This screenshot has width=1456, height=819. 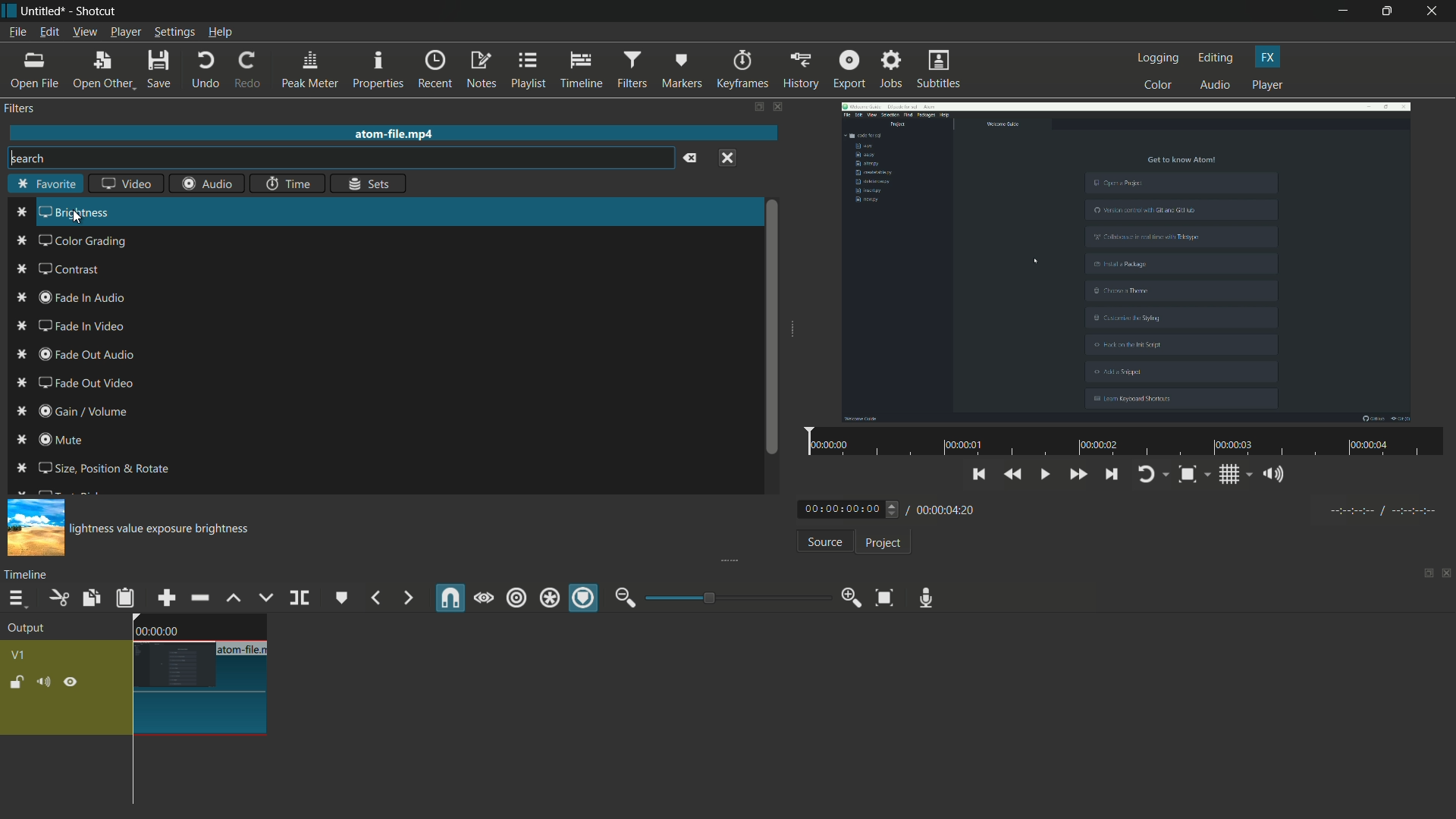 What do you see at coordinates (58, 598) in the screenshot?
I see `cut` at bounding box center [58, 598].